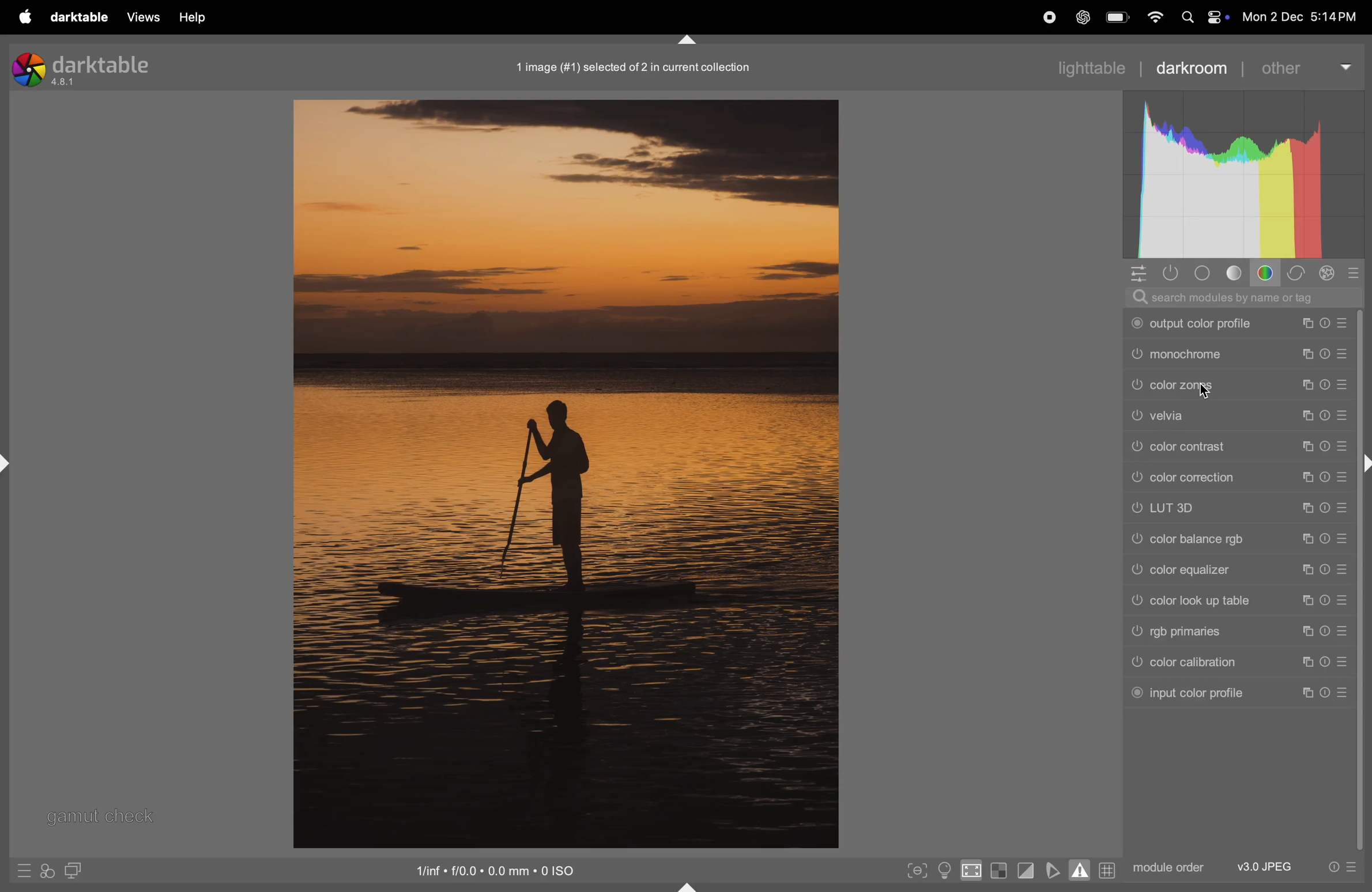 This screenshot has width=1372, height=892. I want to click on rgb primaries, so click(1207, 632).